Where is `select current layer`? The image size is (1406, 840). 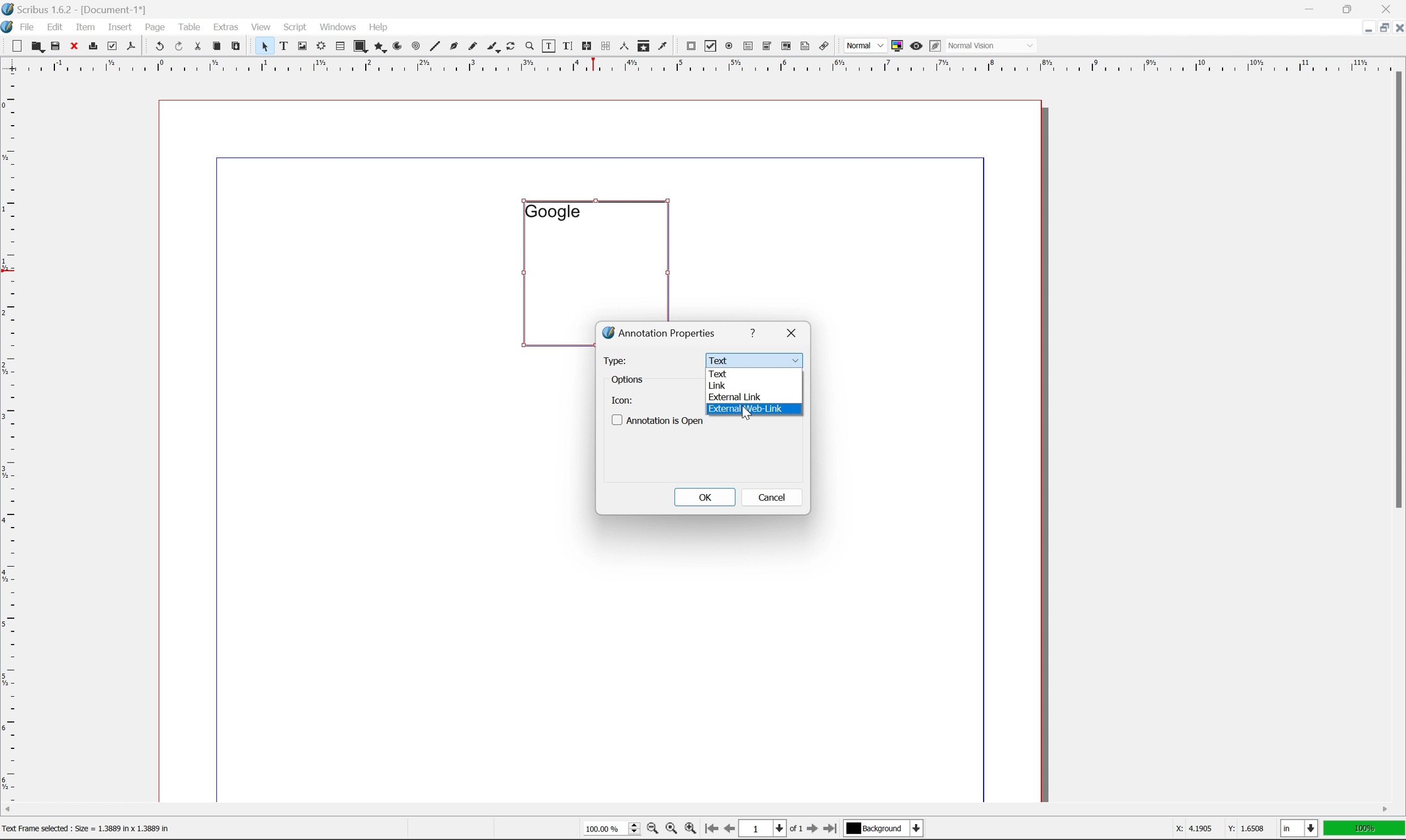
select current layer is located at coordinates (882, 829).